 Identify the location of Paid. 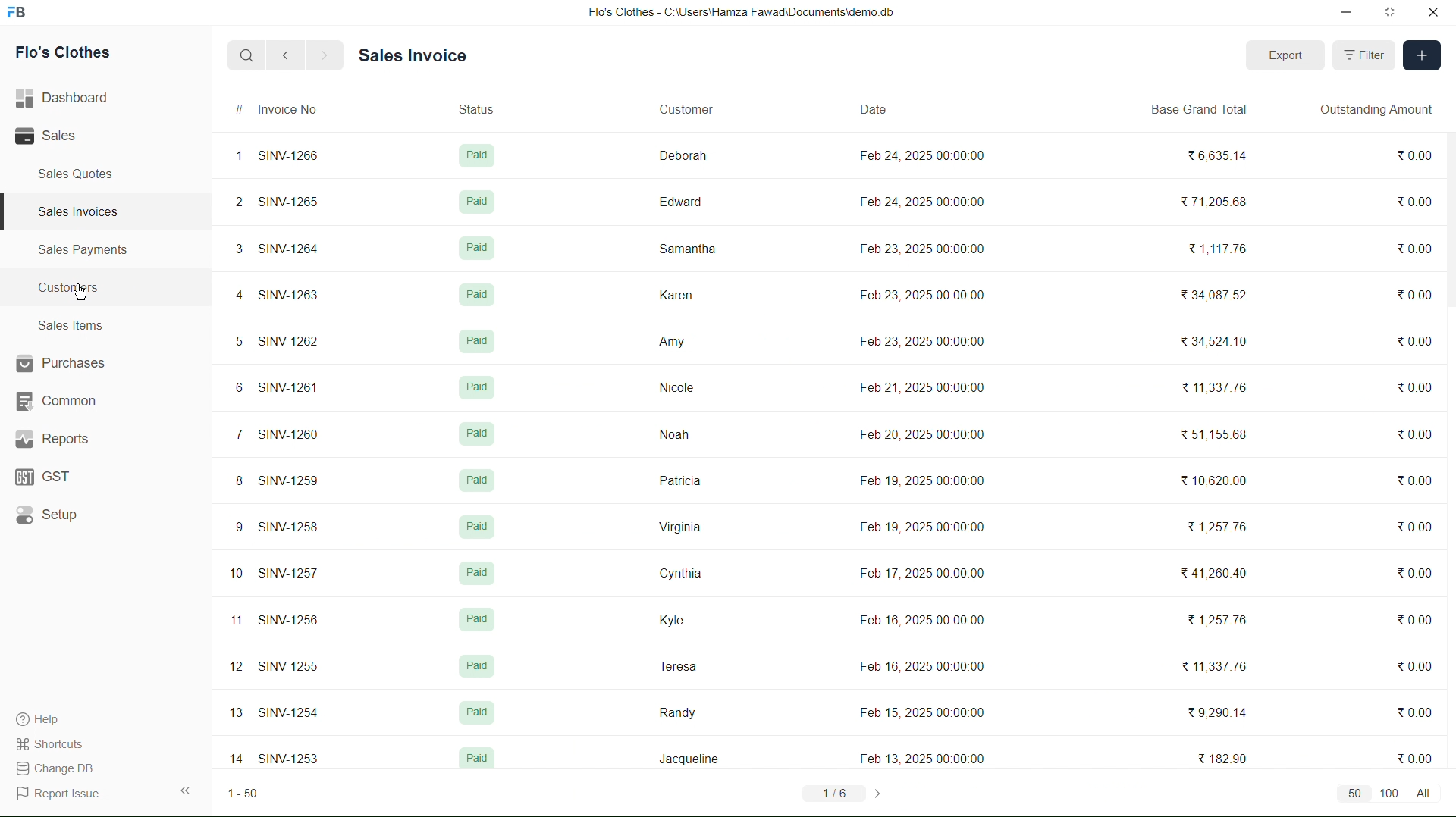
(479, 573).